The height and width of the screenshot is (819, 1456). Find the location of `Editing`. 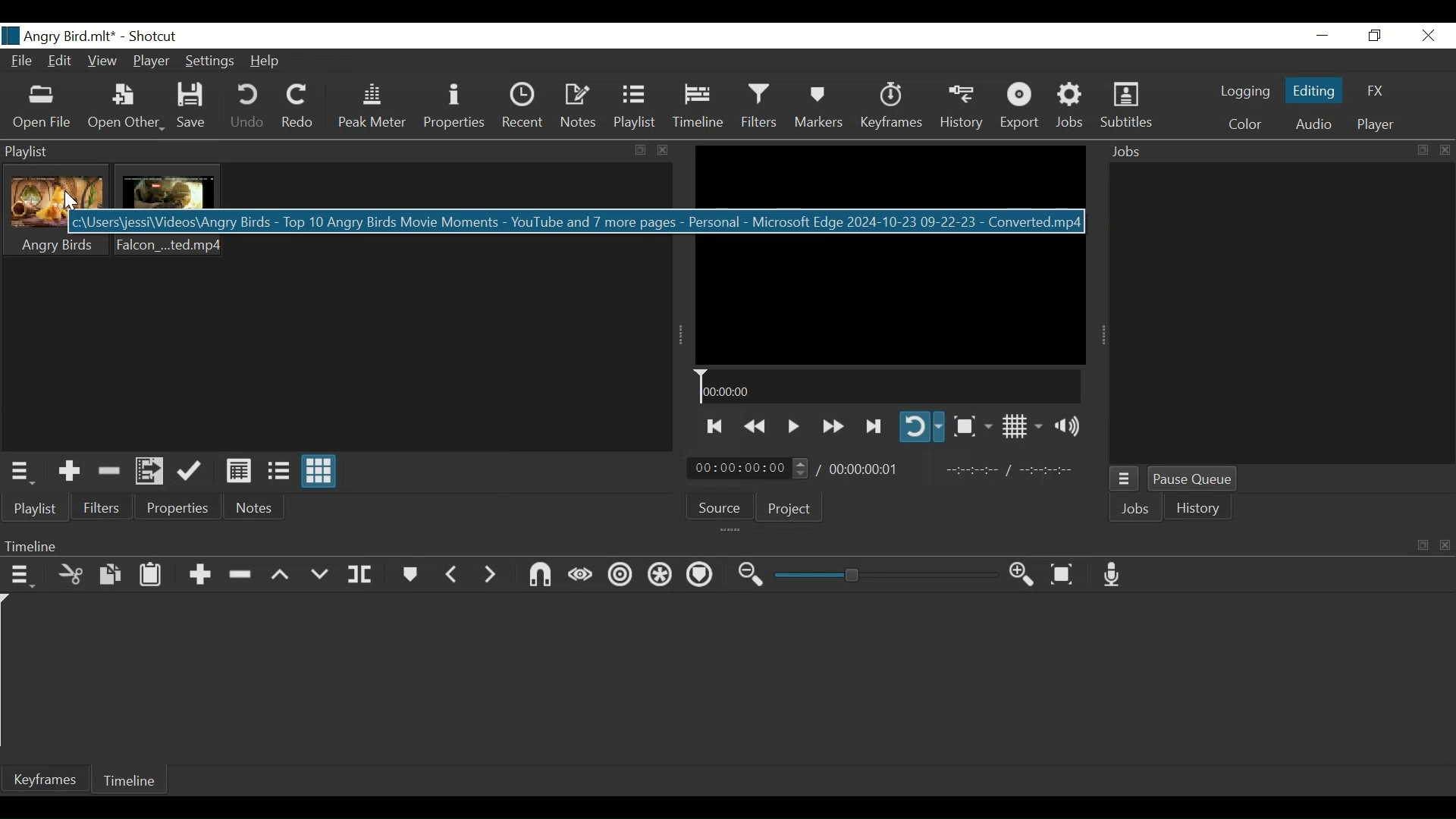

Editing is located at coordinates (1314, 93).